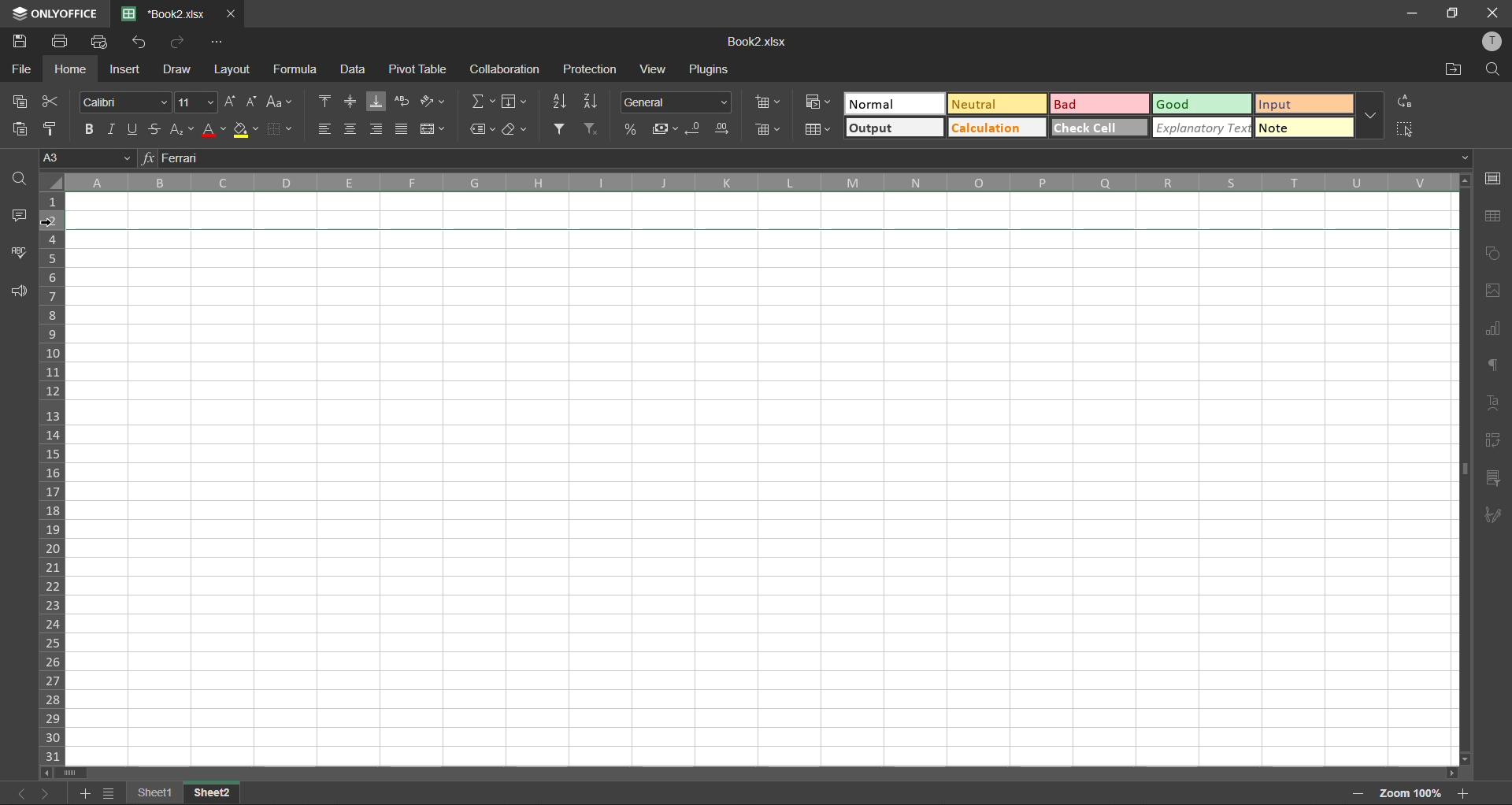  I want to click on decrement size, so click(253, 101).